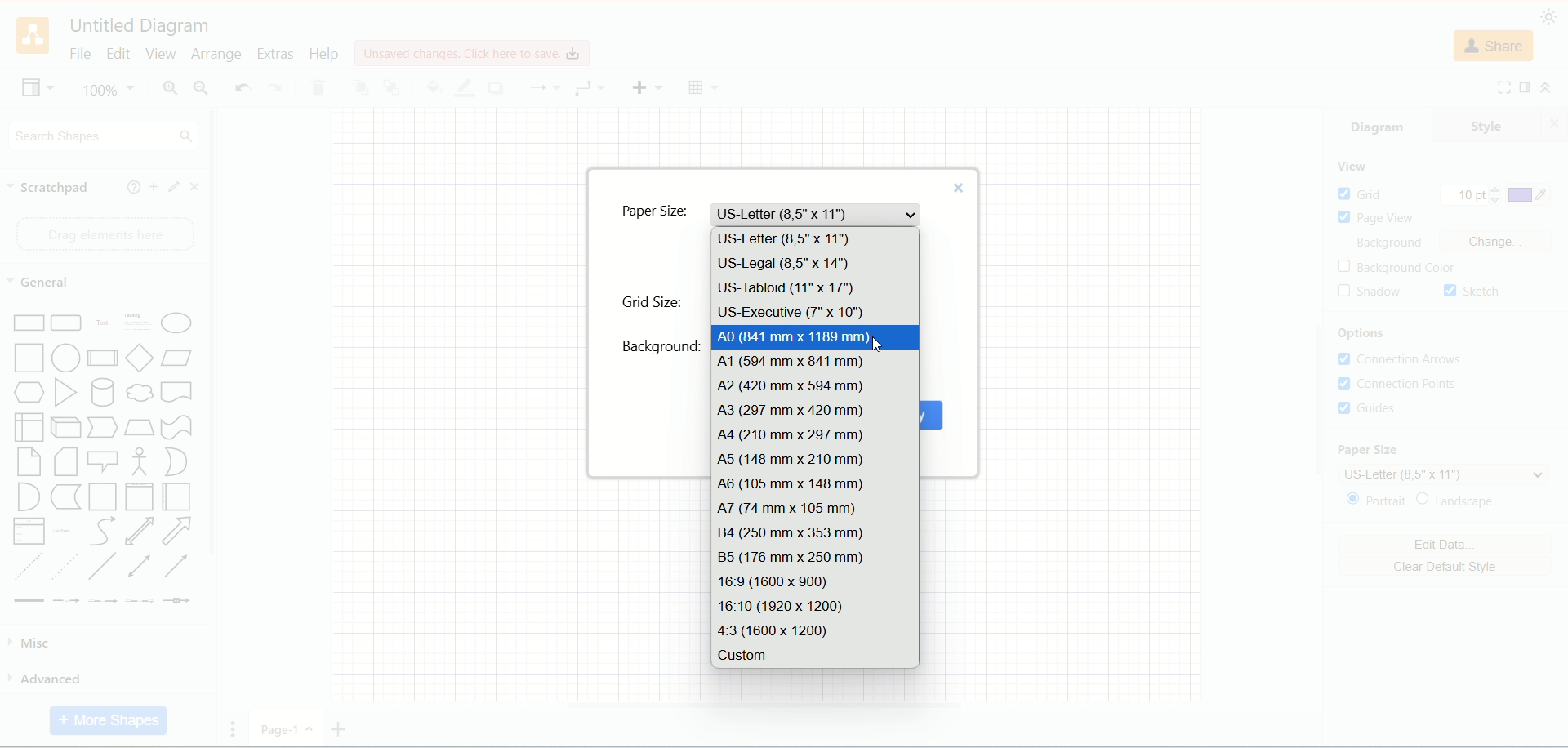 The height and width of the screenshot is (748, 1568). I want to click on vertical scroll bar, so click(1317, 407).